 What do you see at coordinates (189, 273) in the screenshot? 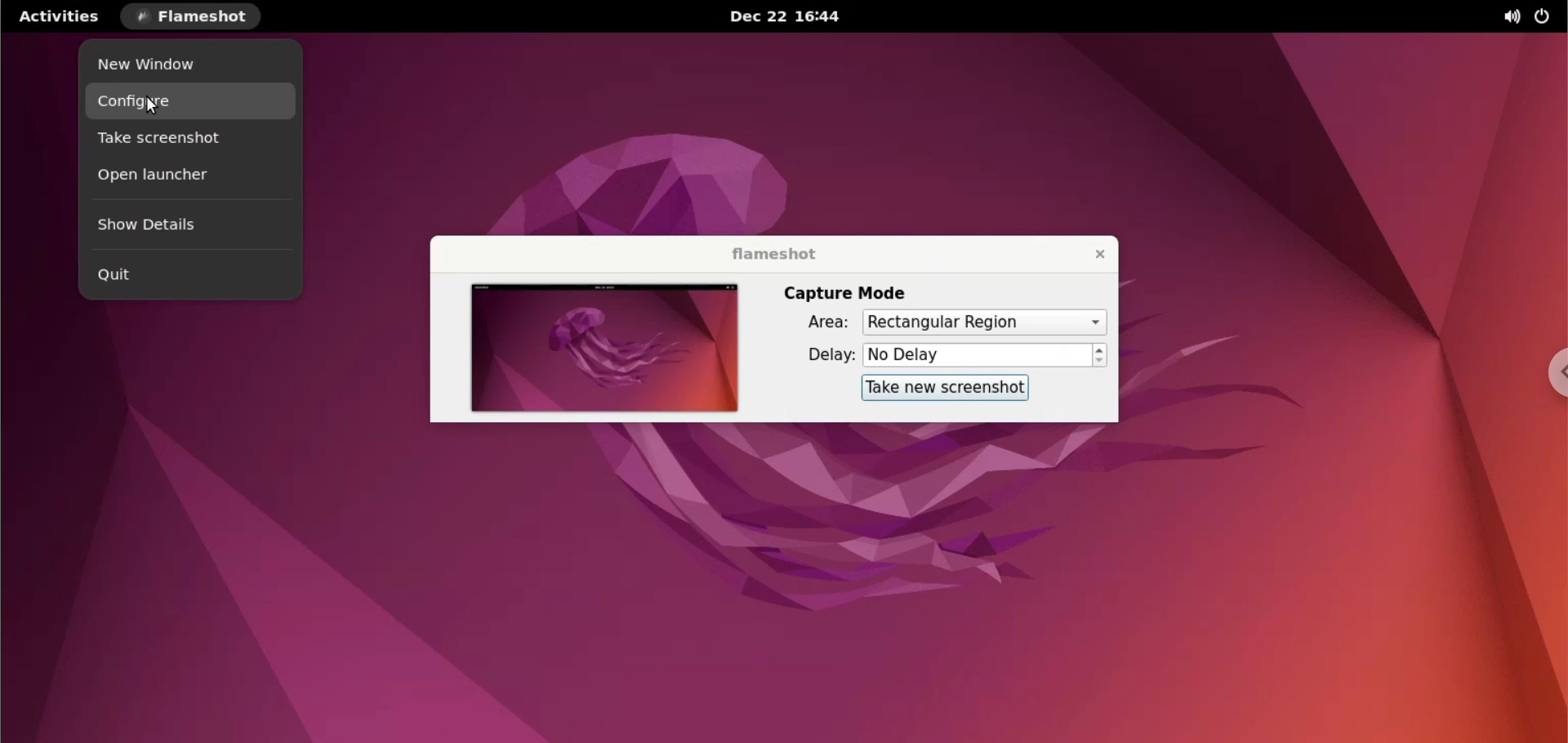
I see `quit` at bounding box center [189, 273].